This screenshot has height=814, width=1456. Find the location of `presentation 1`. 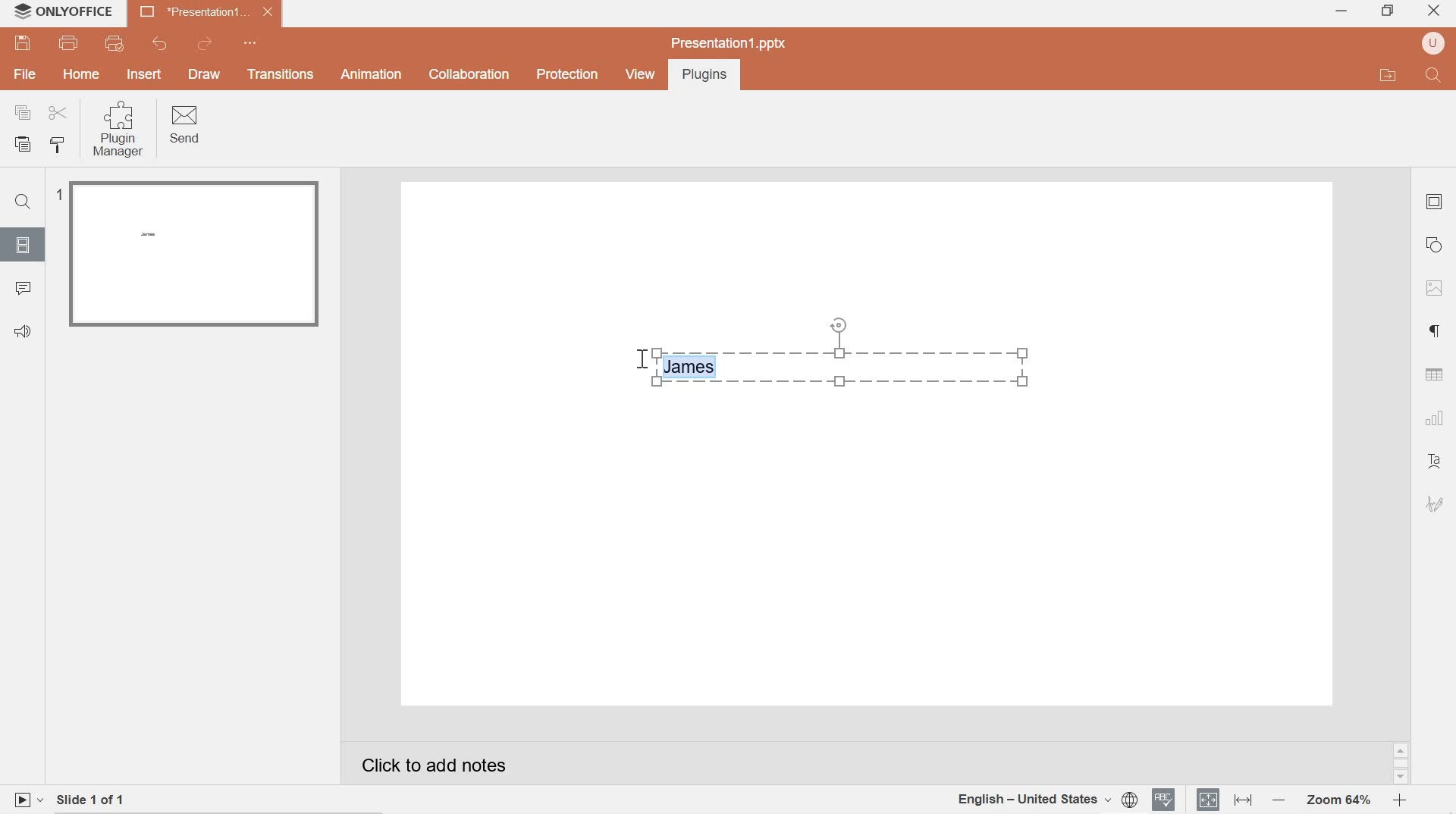

presentation 1 is located at coordinates (206, 12).